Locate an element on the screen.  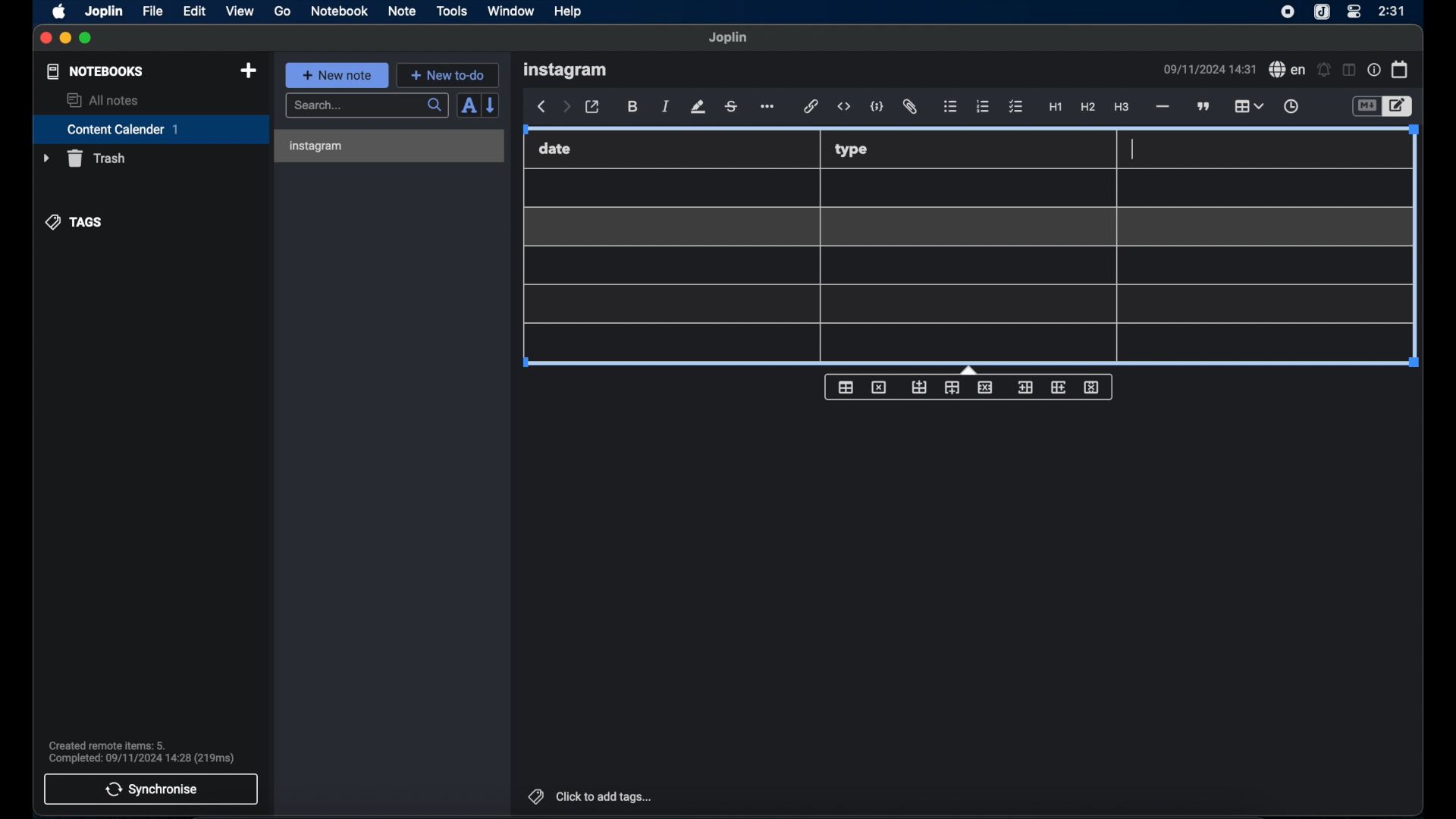
Joplin is located at coordinates (729, 38).